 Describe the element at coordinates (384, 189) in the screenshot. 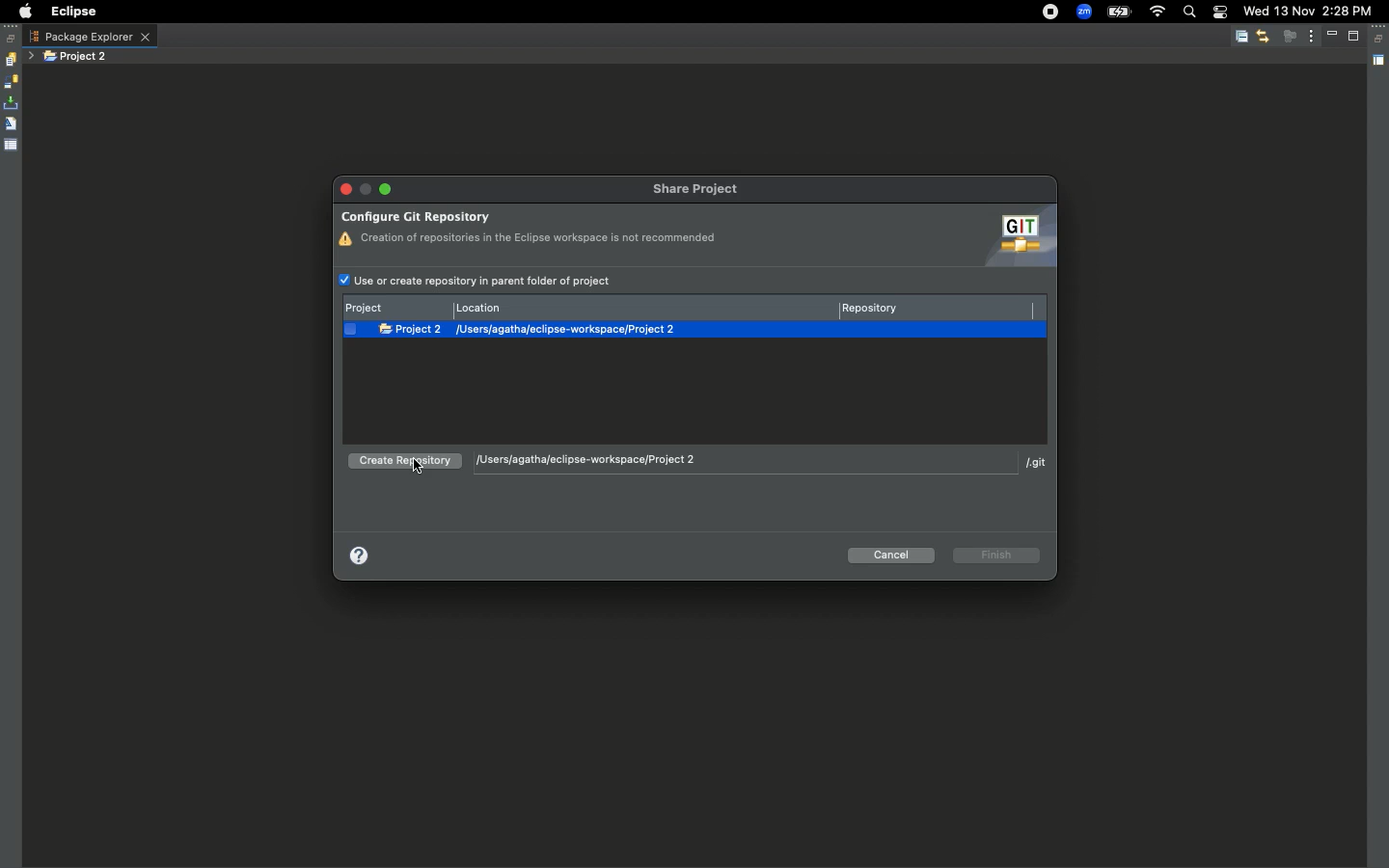

I see `Minimize` at that location.